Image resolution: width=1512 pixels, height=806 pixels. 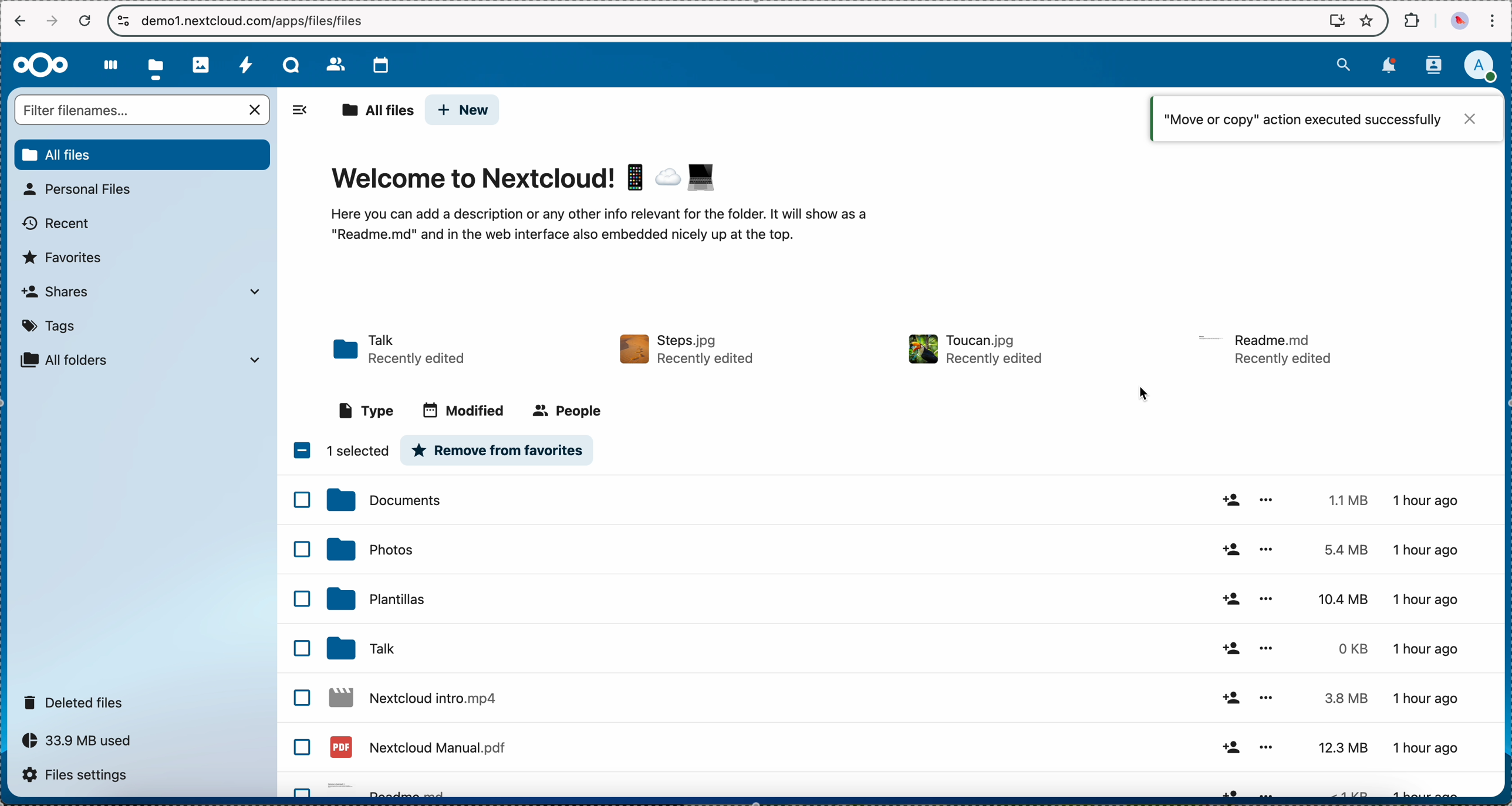 I want to click on favorites, so click(x=1365, y=20).